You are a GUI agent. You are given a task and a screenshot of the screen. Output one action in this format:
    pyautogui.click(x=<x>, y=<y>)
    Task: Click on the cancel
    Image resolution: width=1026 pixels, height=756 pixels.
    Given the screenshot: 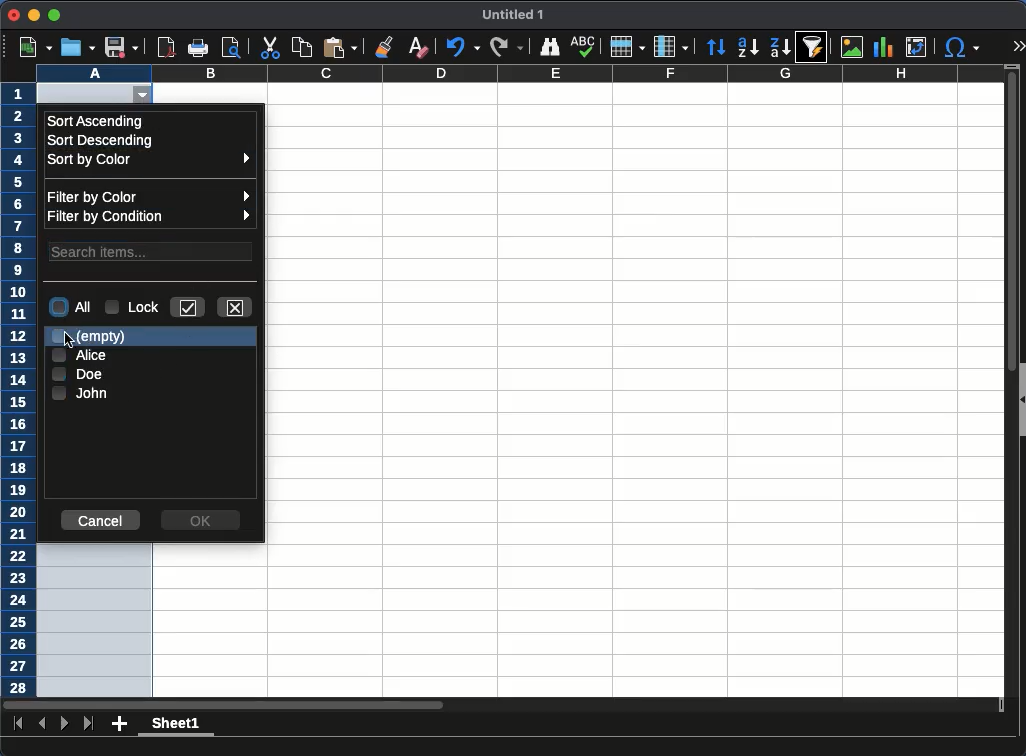 What is the action you would take?
    pyautogui.click(x=102, y=521)
    